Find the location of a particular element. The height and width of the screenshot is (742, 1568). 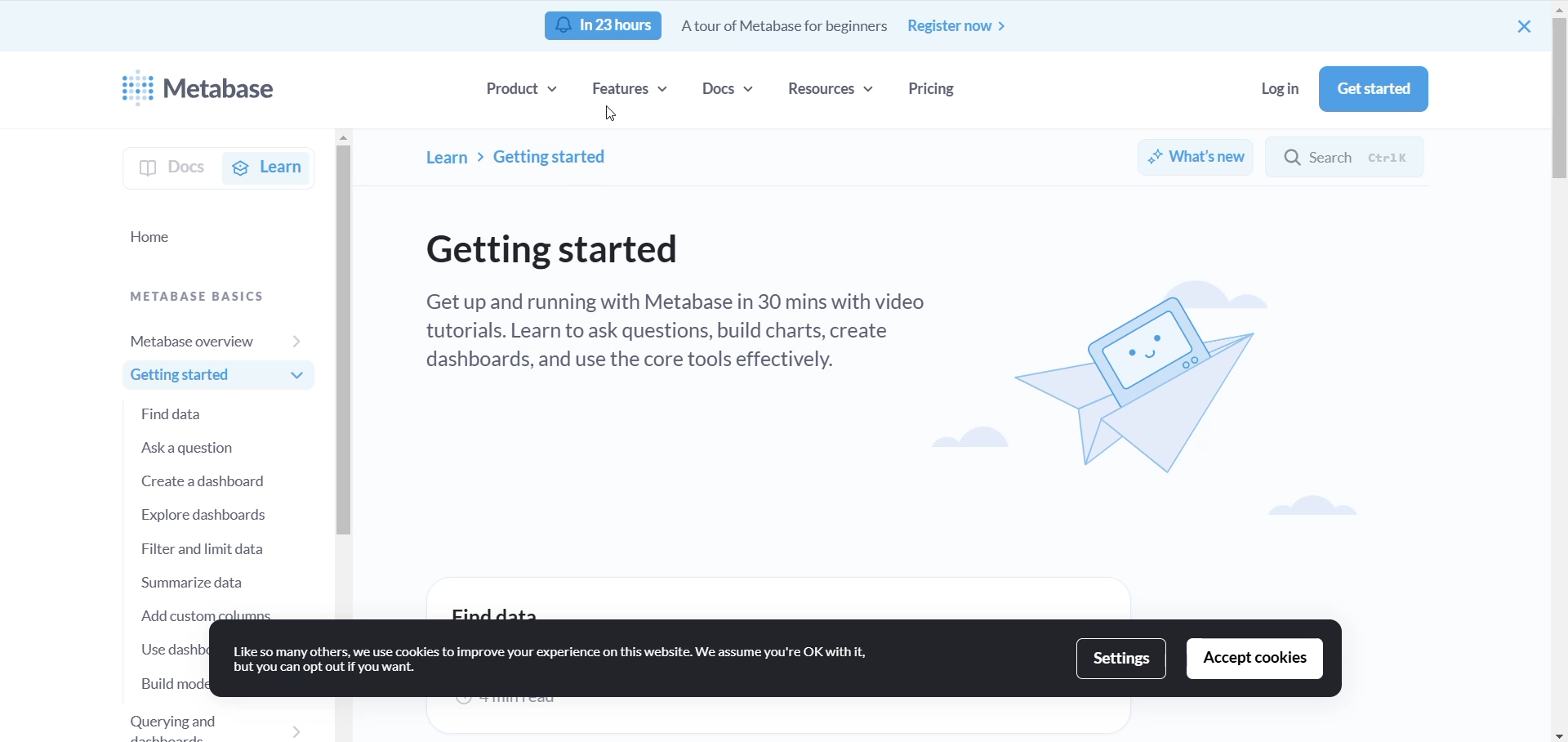

use dashboard is located at coordinates (168, 651).